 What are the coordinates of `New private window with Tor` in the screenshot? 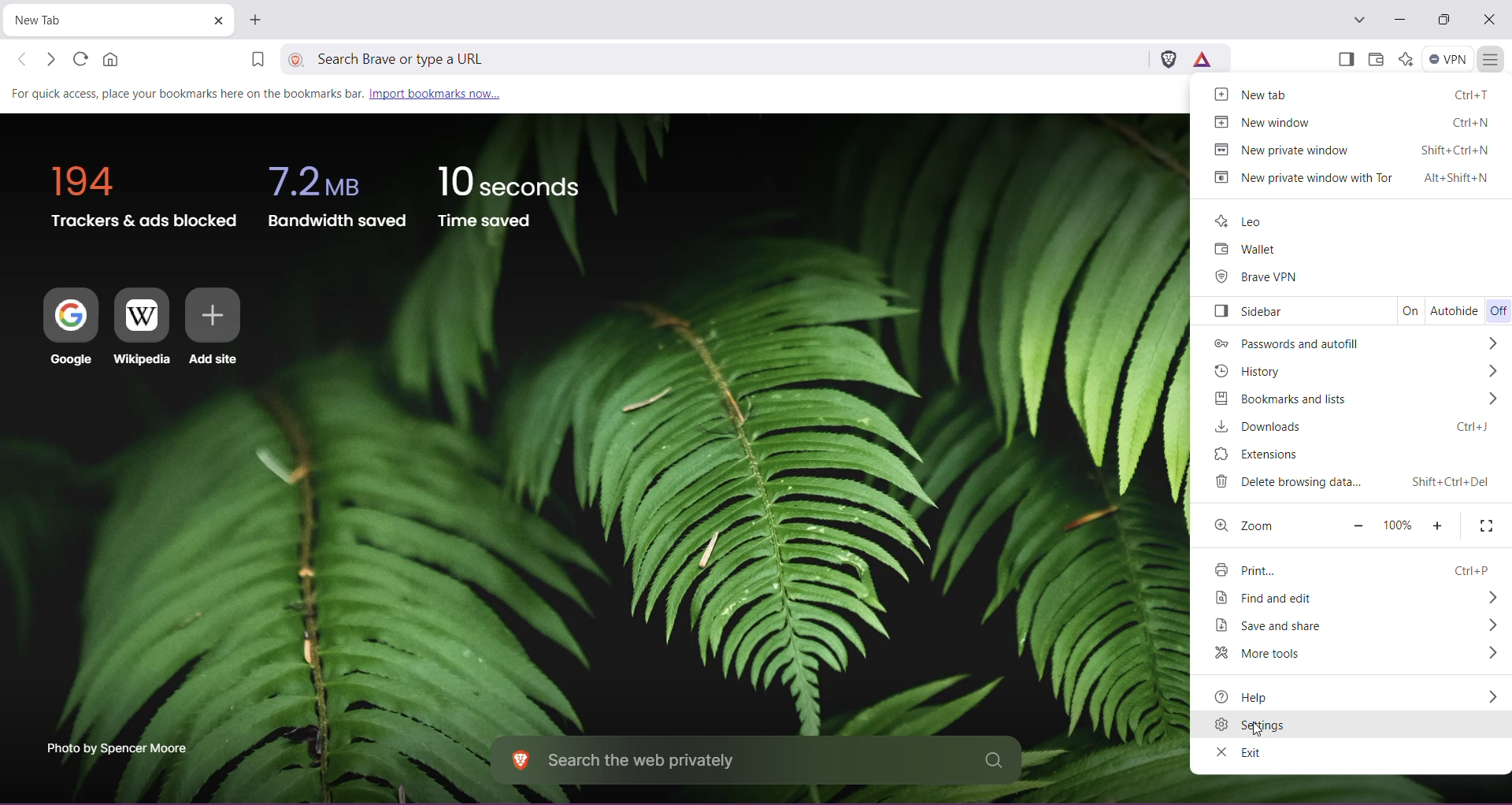 It's located at (1349, 178).